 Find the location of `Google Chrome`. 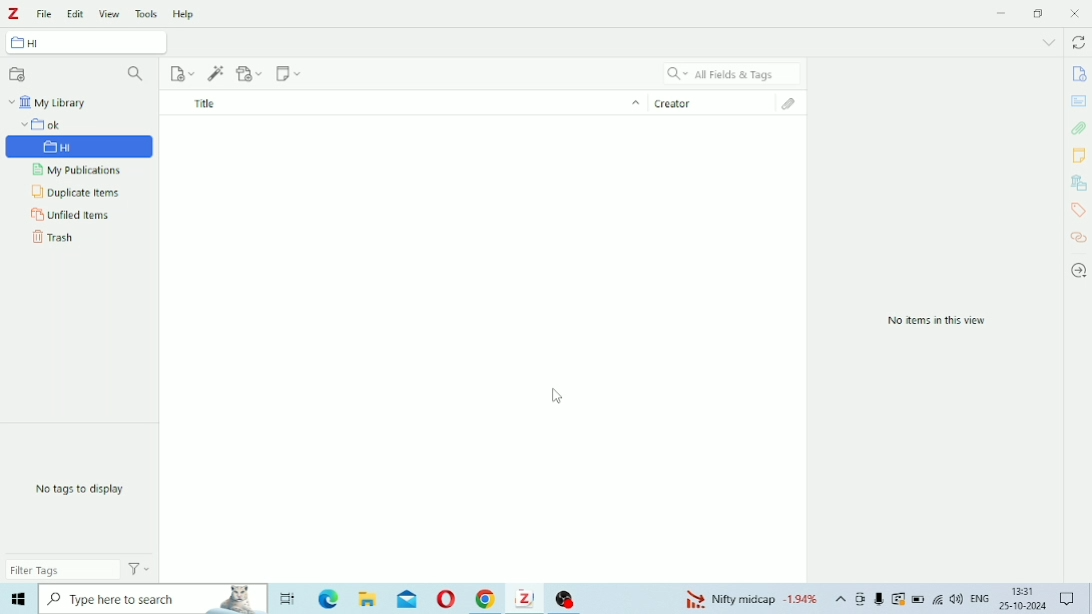

Google Chrome is located at coordinates (487, 599).